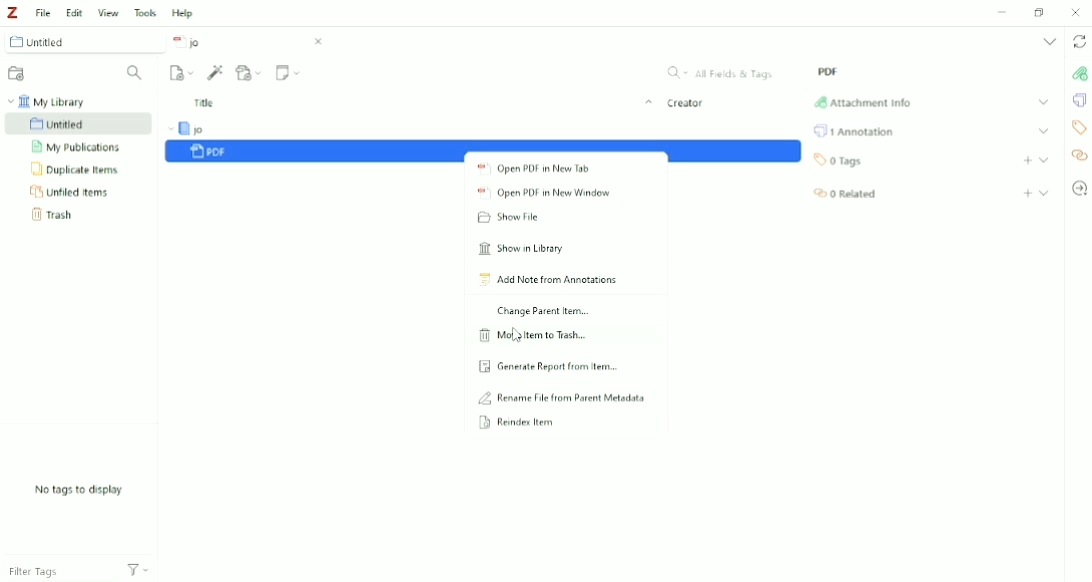 The width and height of the screenshot is (1092, 582). What do you see at coordinates (519, 422) in the screenshot?
I see `Reindex Item` at bounding box center [519, 422].